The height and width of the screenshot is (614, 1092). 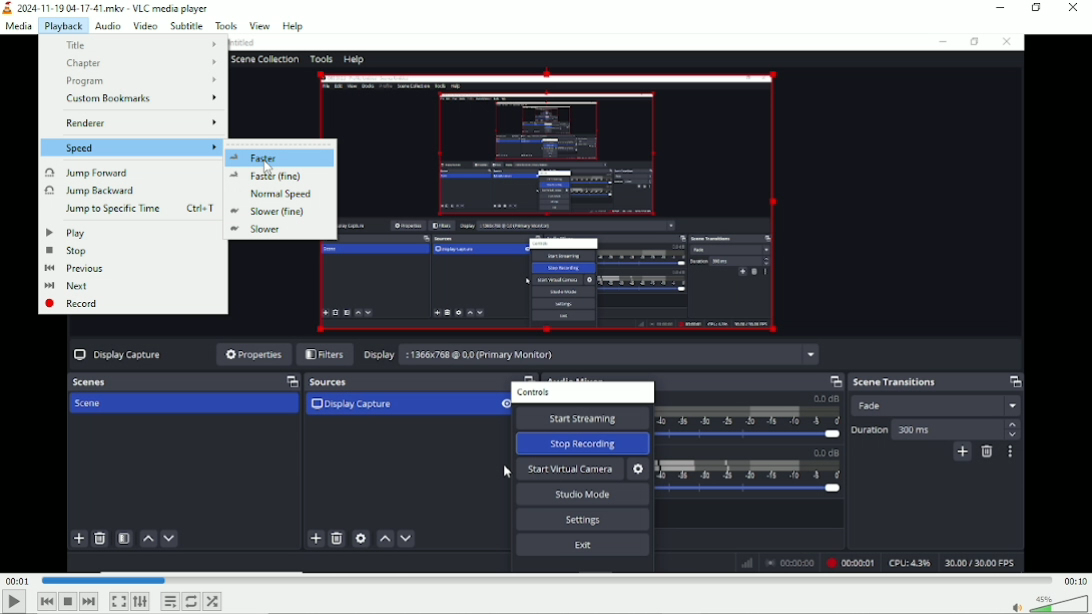 I want to click on Toggle between loop all, loop one and no loop, so click(x=191, y=602).